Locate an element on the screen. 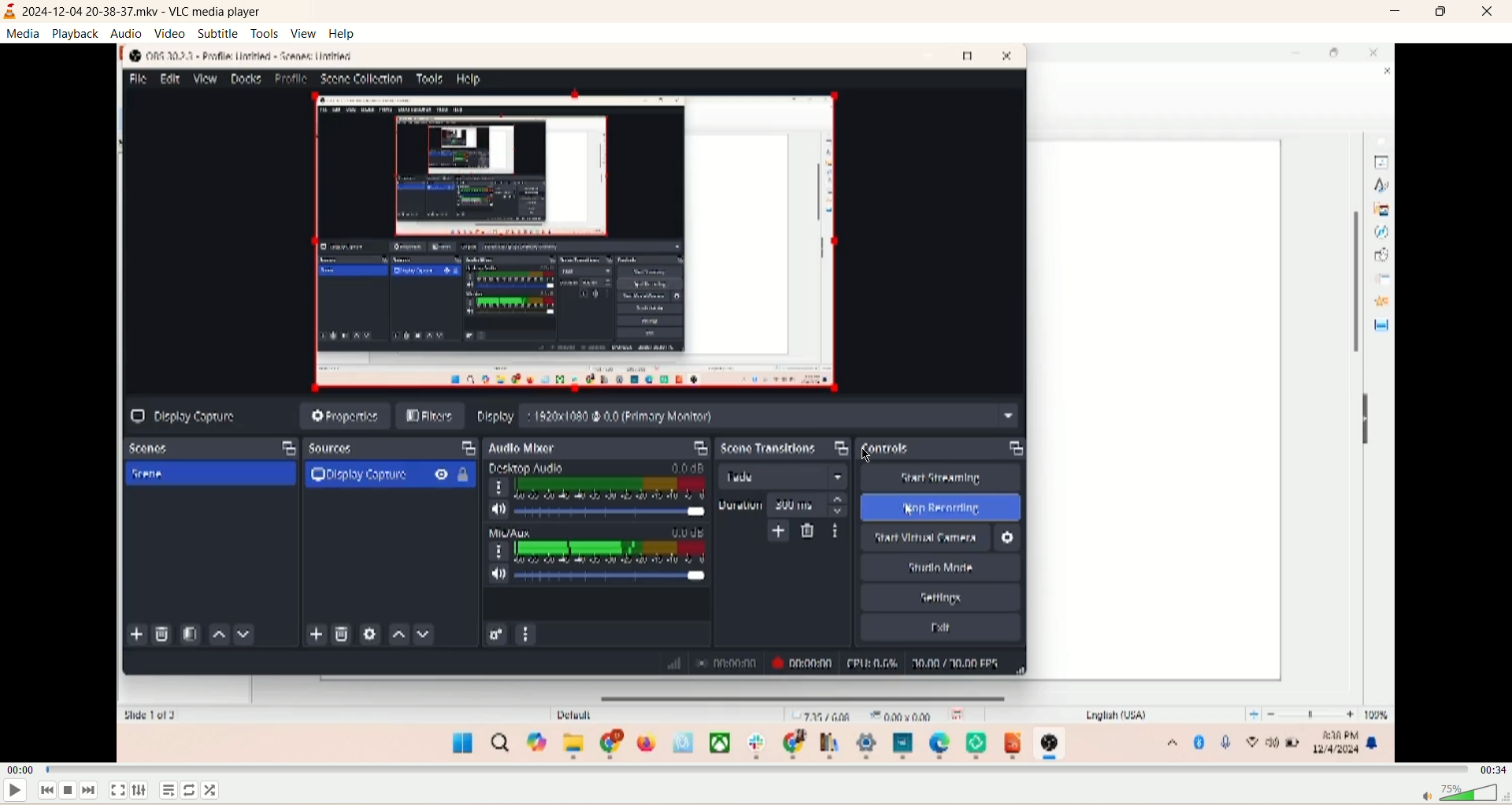 This screenshot has height=805, width=1512. view is located at coordinates (306, 33).